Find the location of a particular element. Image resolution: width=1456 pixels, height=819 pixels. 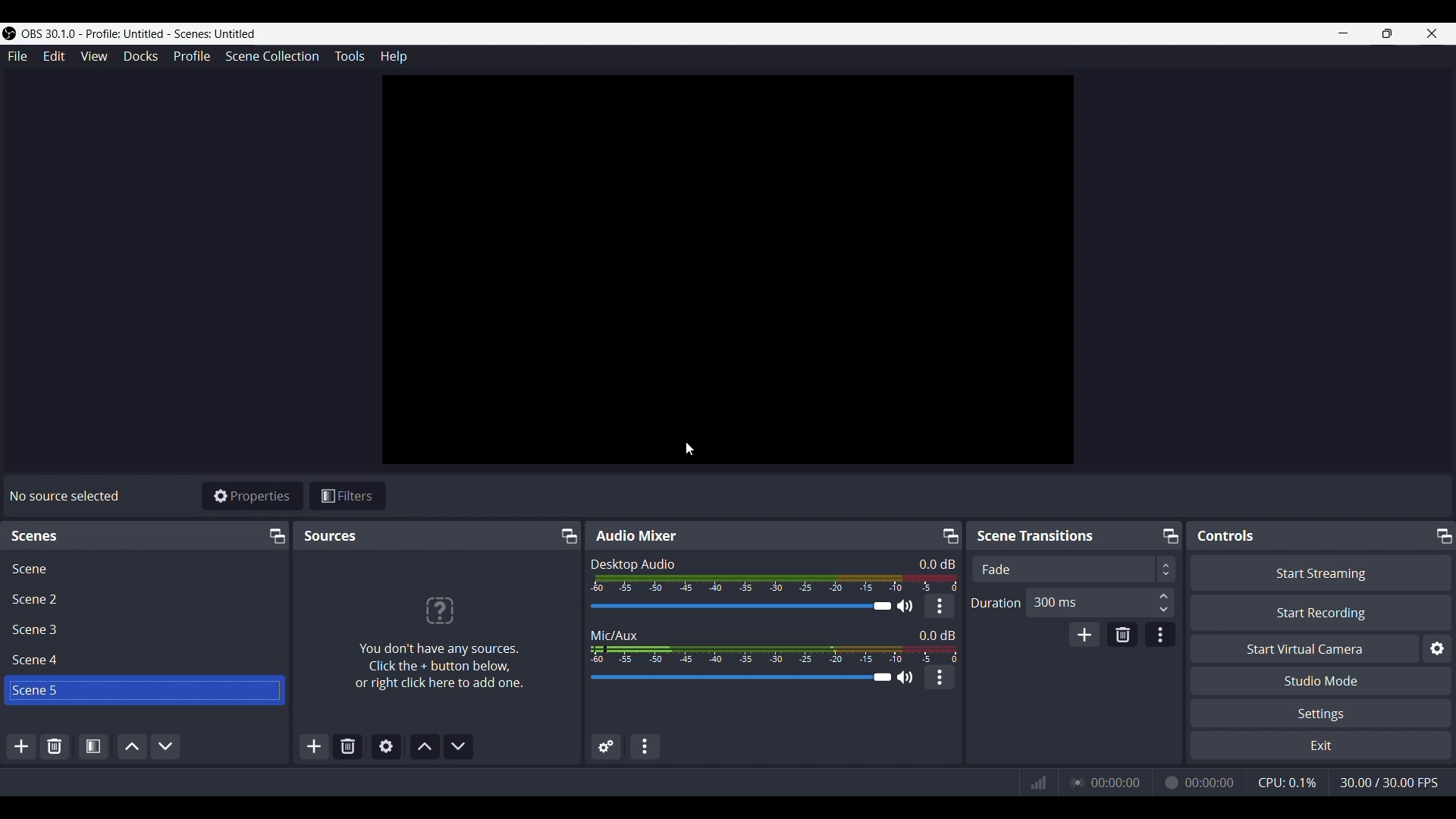

Add Configurable transition is located at coordinates (1084, 634).